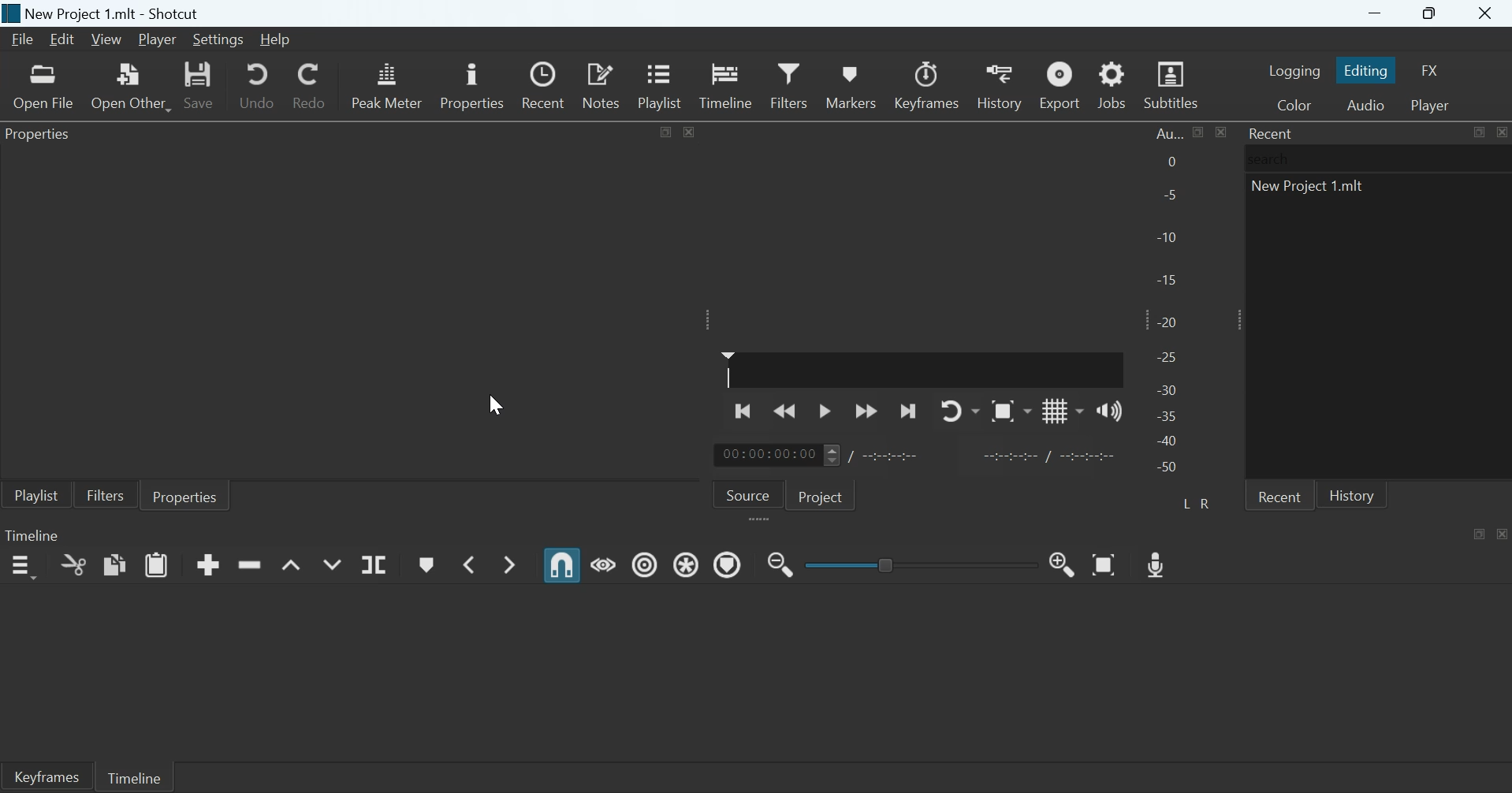 The height and width of the screenshot is (793, 1512). What do you see at coordinates (604, 563) in the screenshot?
I see `Scrub while dragging` at bounding box center [604, 563].